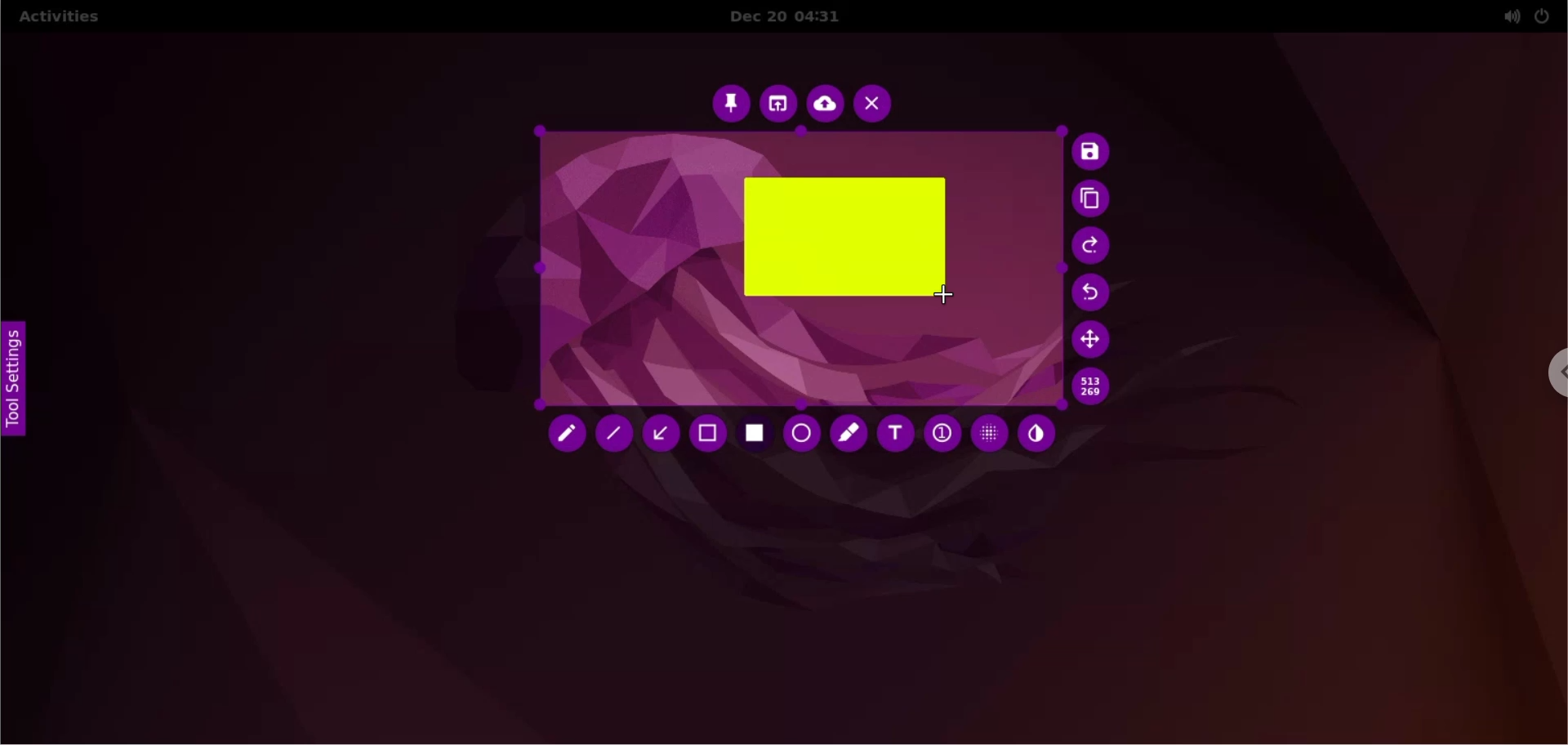 This screenshot has height=745, width=1568. Describe the element at coordinates (801, 434) in the screenshot. I see `circle tool` at that location.